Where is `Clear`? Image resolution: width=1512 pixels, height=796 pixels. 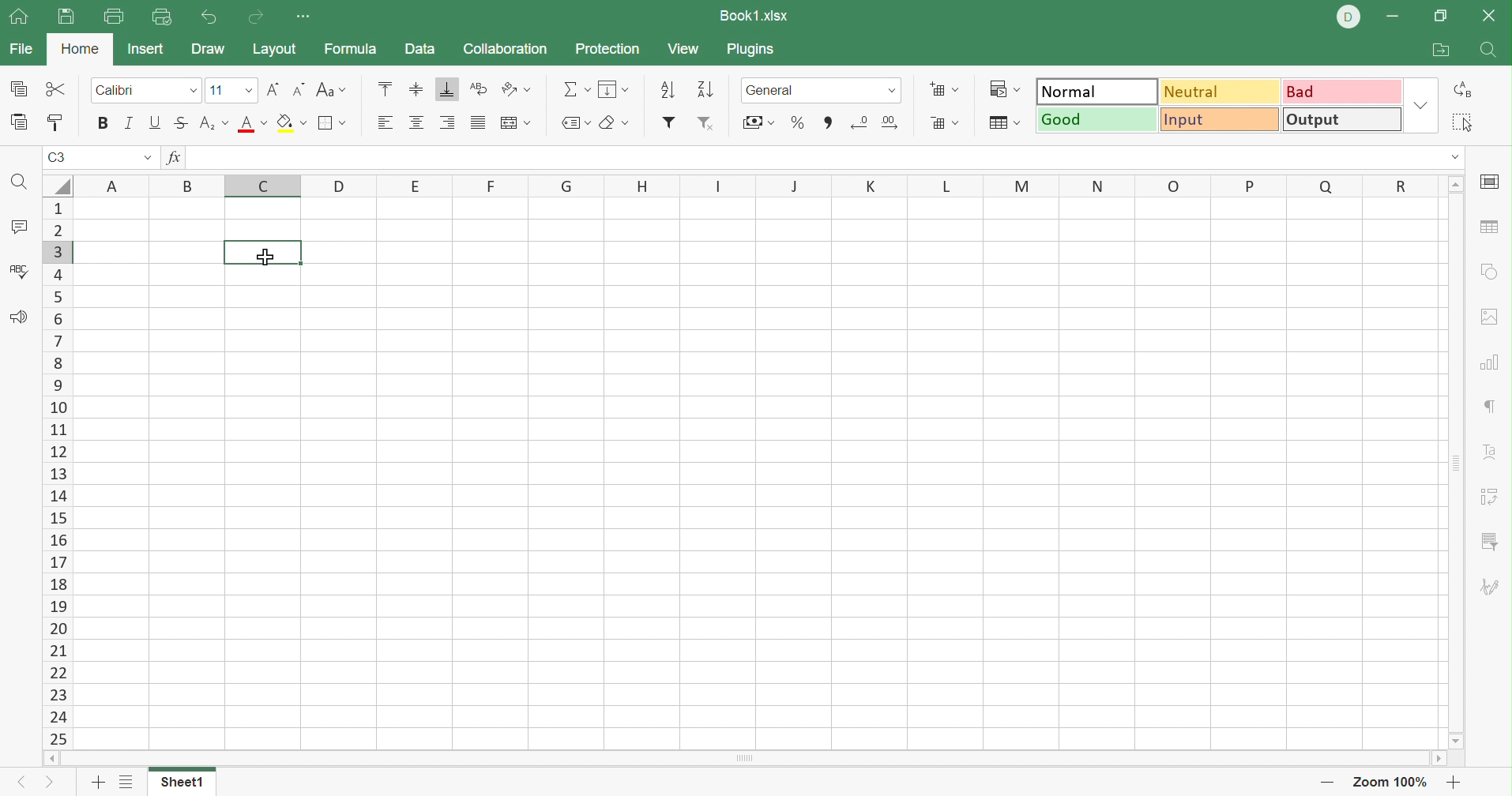
Clear is located at coordinates (614, 125).